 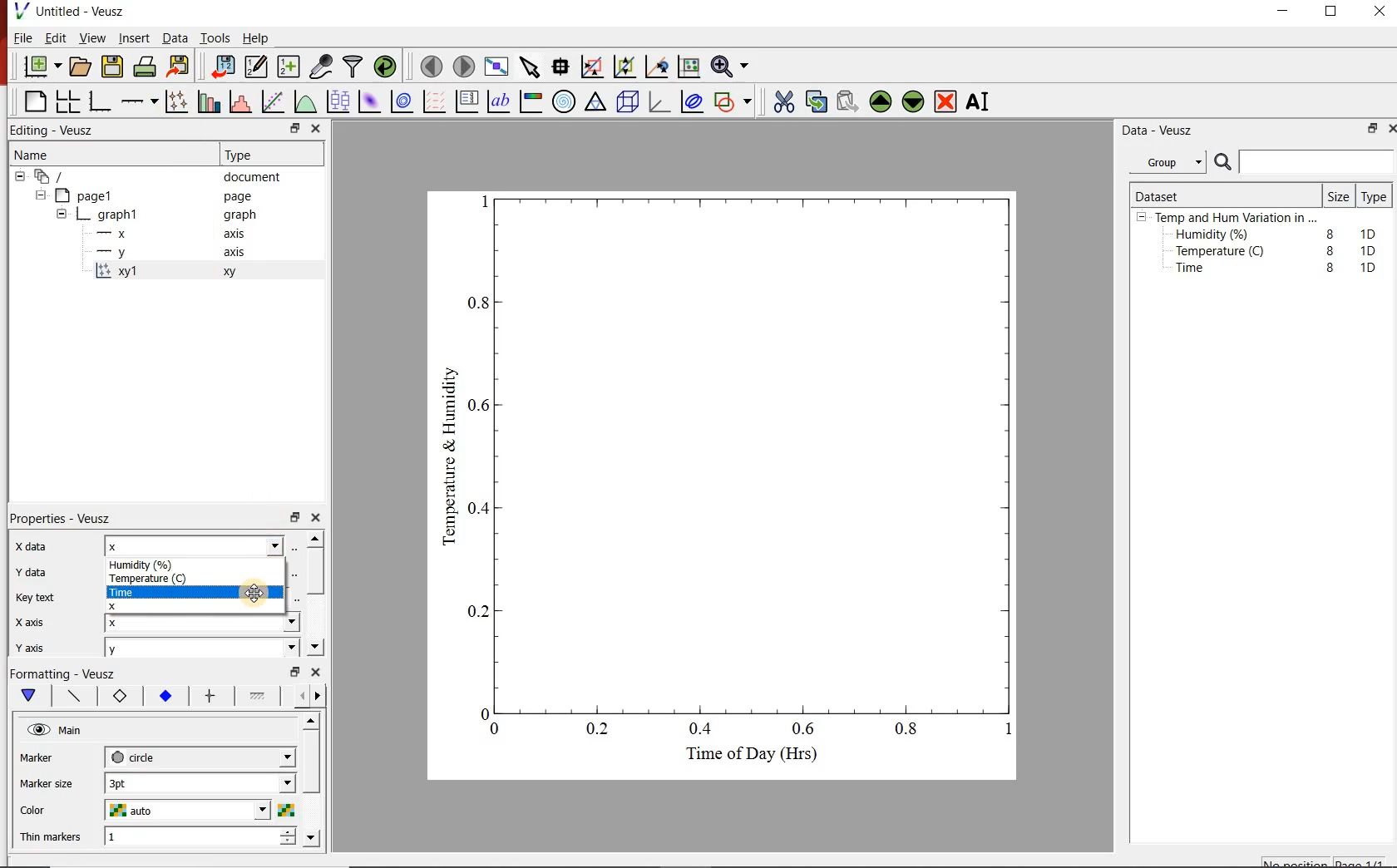 What do you see at coordinates (534, 101) in the screenshot?
I see `image color bar` at bounding box center [534, 101].